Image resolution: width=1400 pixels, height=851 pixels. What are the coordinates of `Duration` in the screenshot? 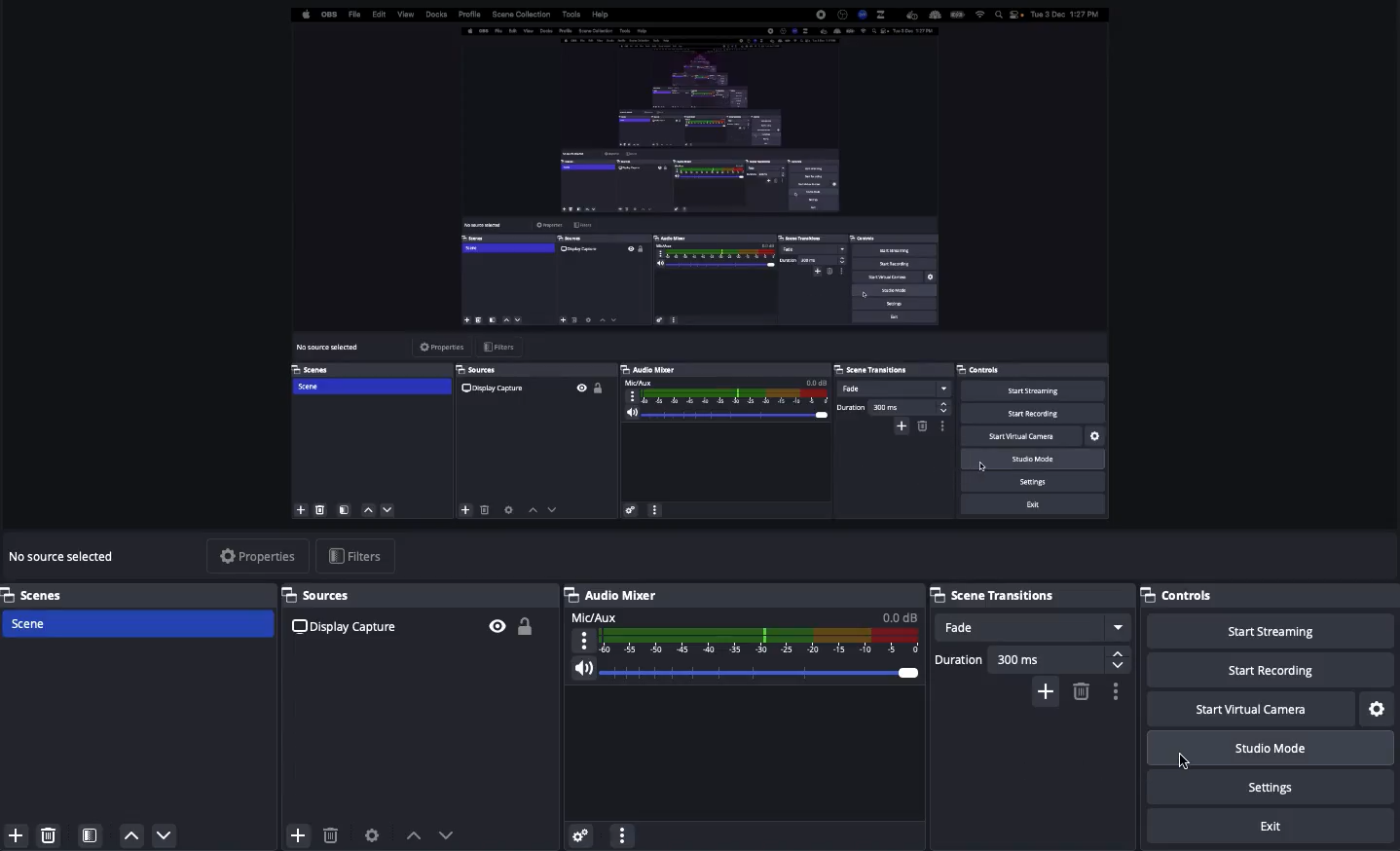 It's located at (1031, 660).